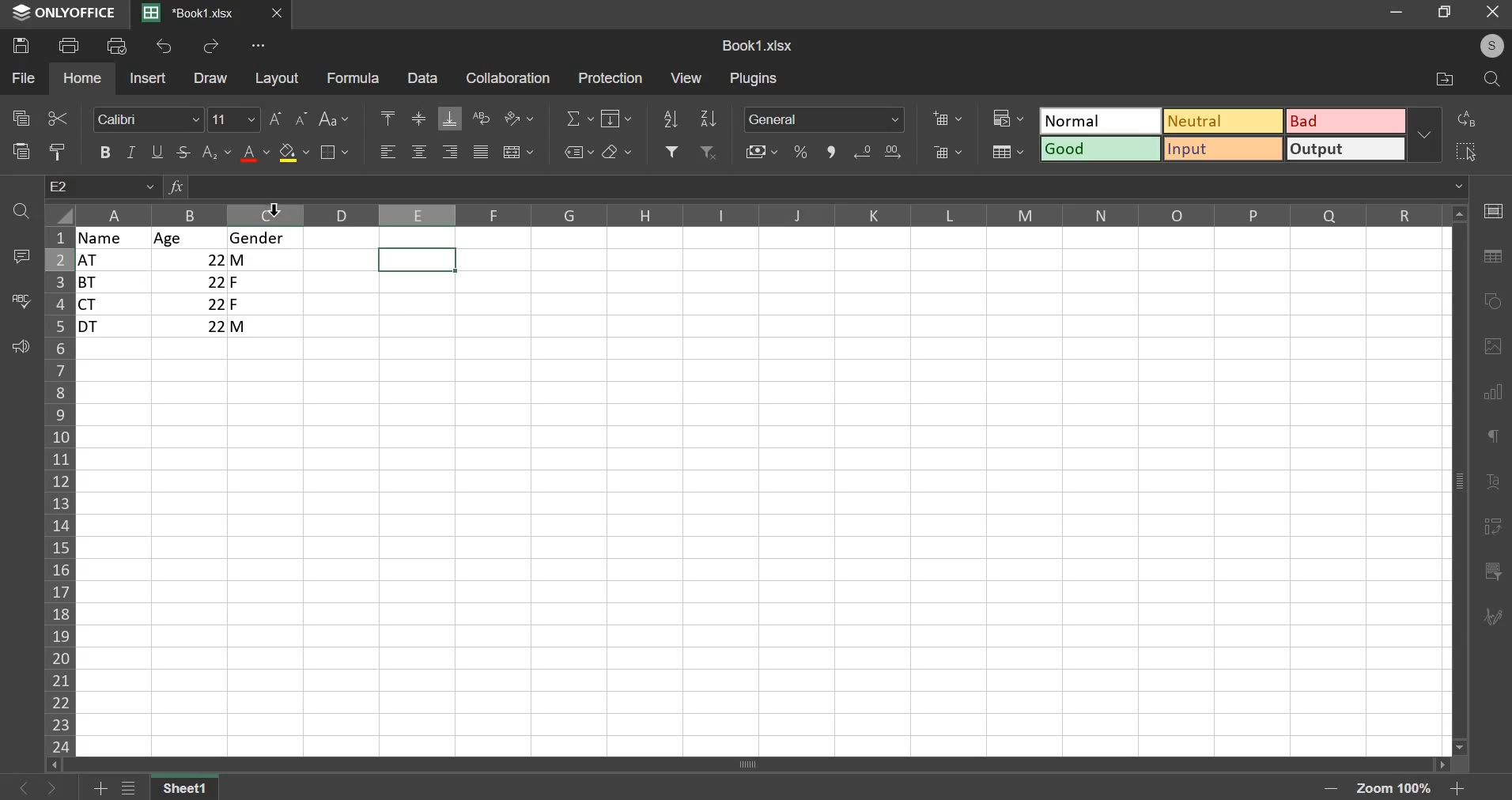 This screenshot has height=800, width=1512. What do you see at coordinates (303, 117) in the screenshot?
I see `font size decrease` at bounding box center [303, 117].